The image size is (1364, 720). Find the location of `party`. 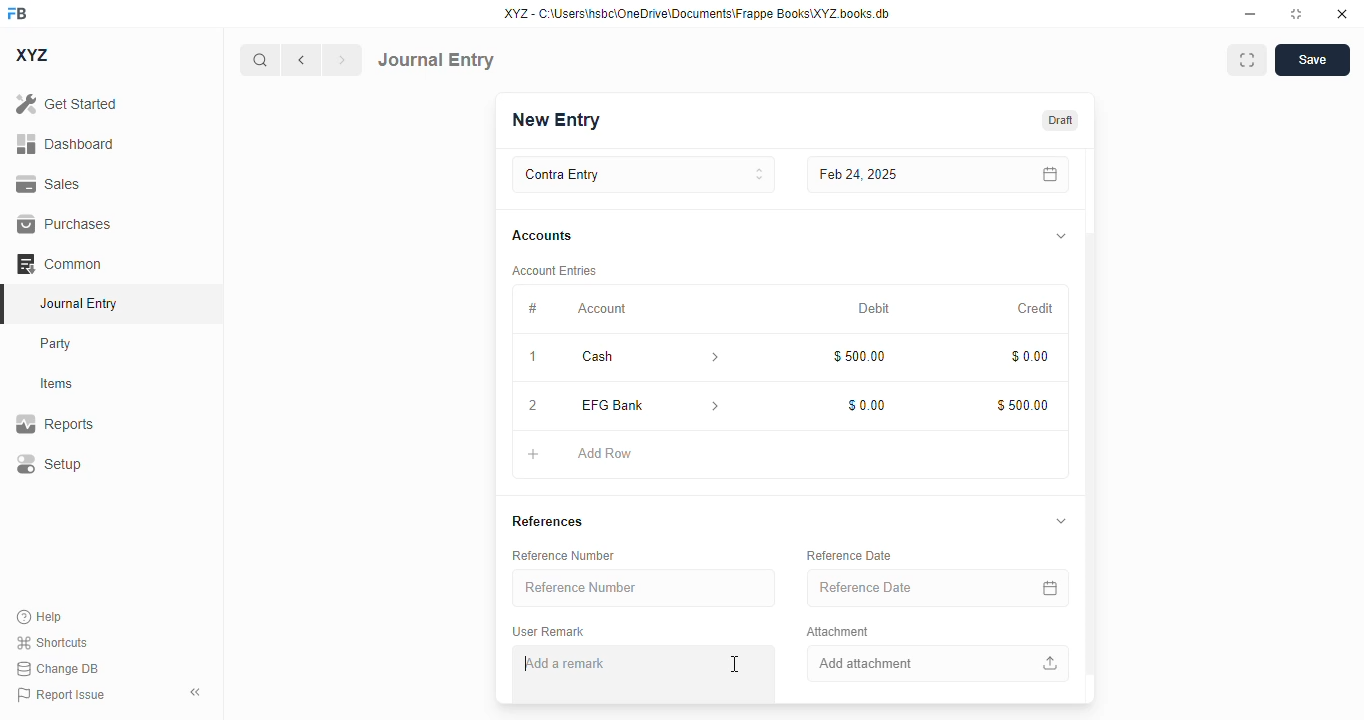

party is located at coordinates (58, 344).